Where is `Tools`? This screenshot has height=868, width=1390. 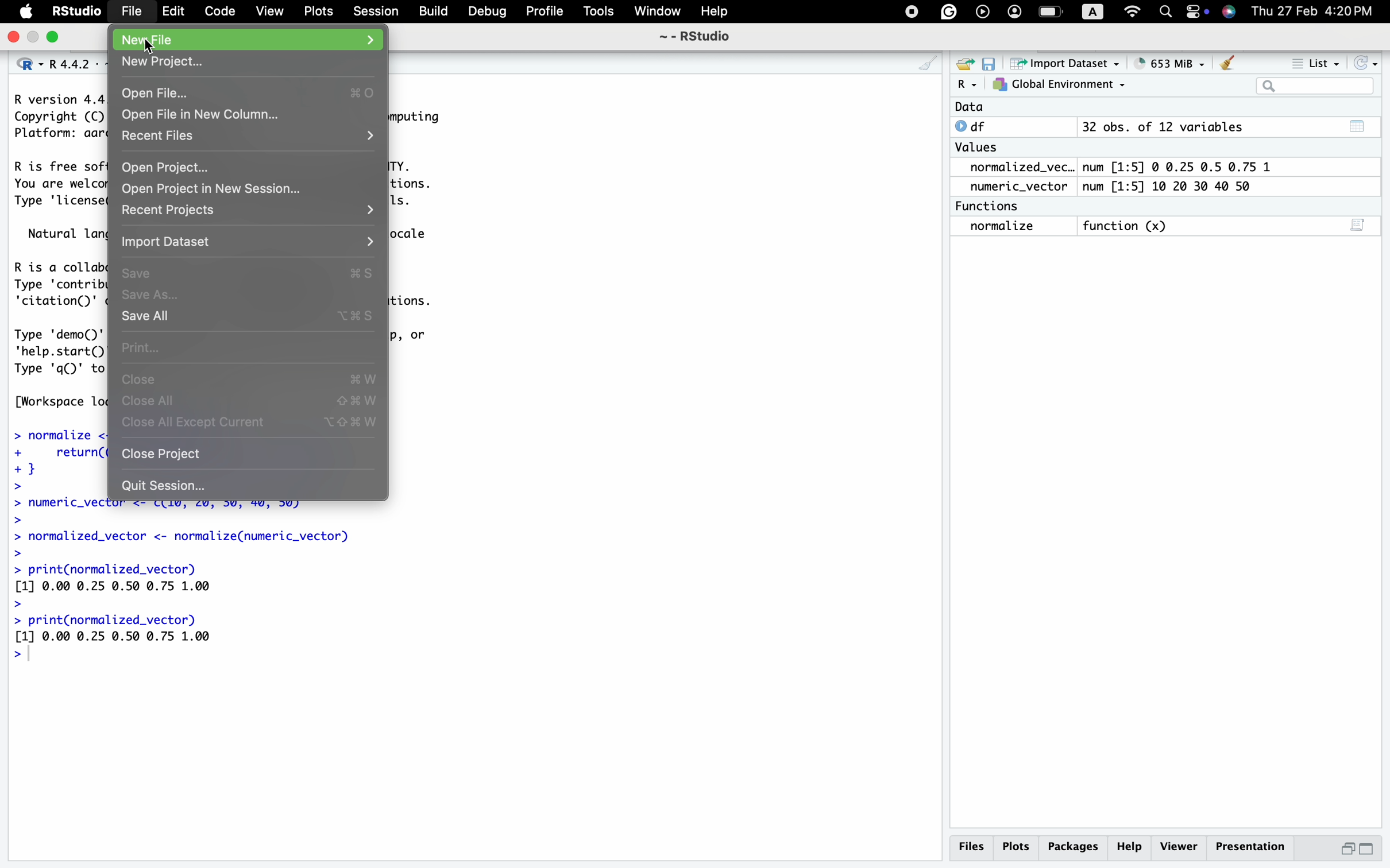 Tools is located at coordinates (597, 13).